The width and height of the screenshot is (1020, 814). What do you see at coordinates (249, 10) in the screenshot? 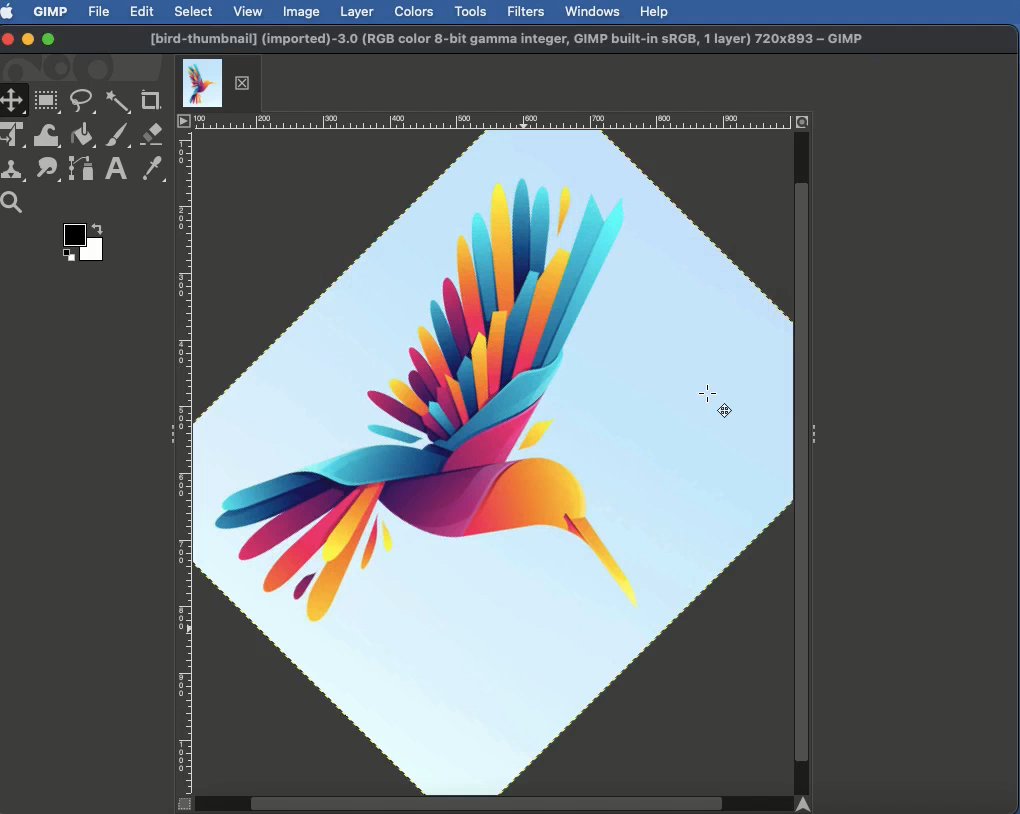
I see `View` at bounding box center [249, 10].